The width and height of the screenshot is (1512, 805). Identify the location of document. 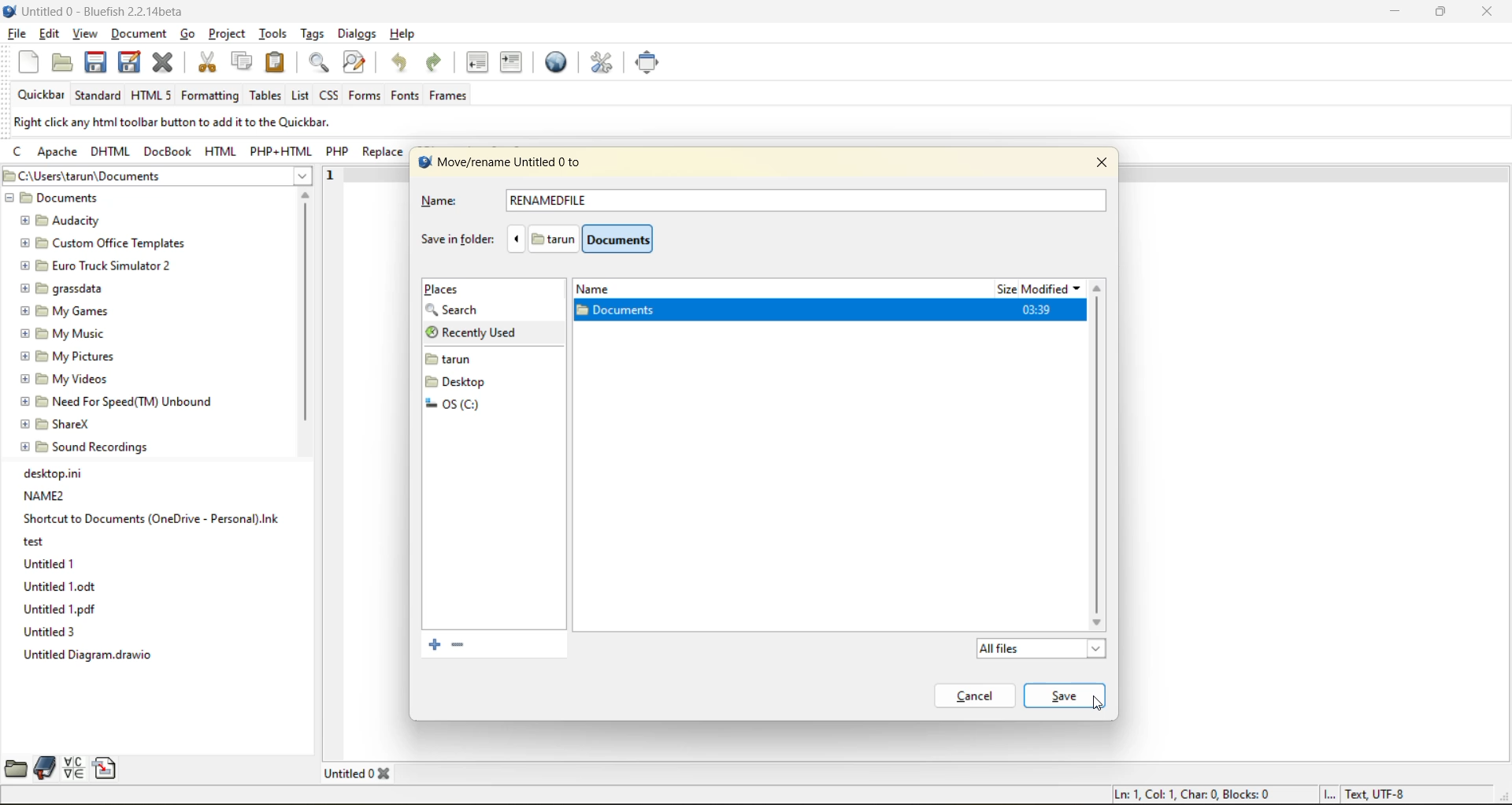
(137, 32).